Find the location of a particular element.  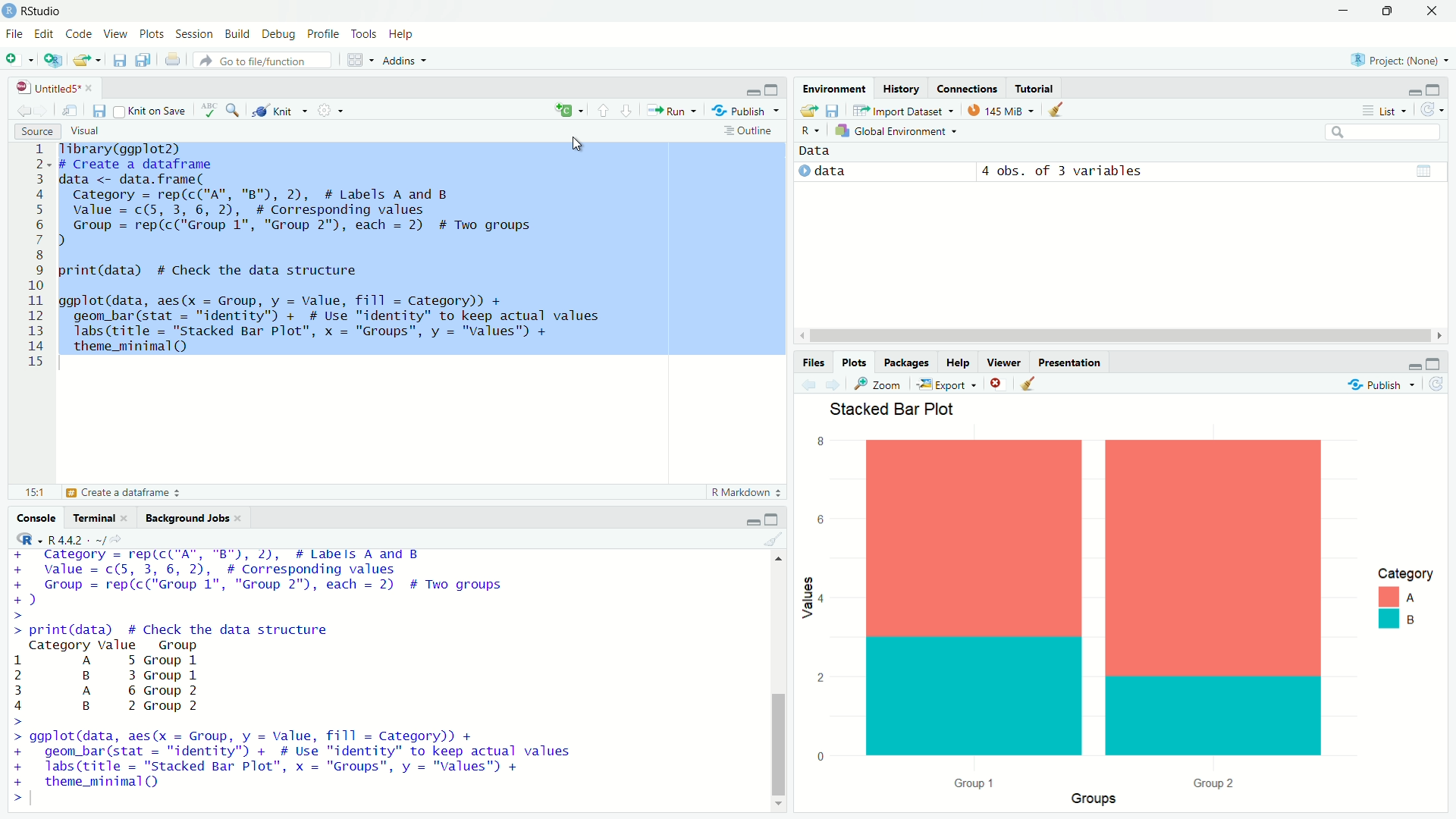

List is located at coordinates (1385, 109).